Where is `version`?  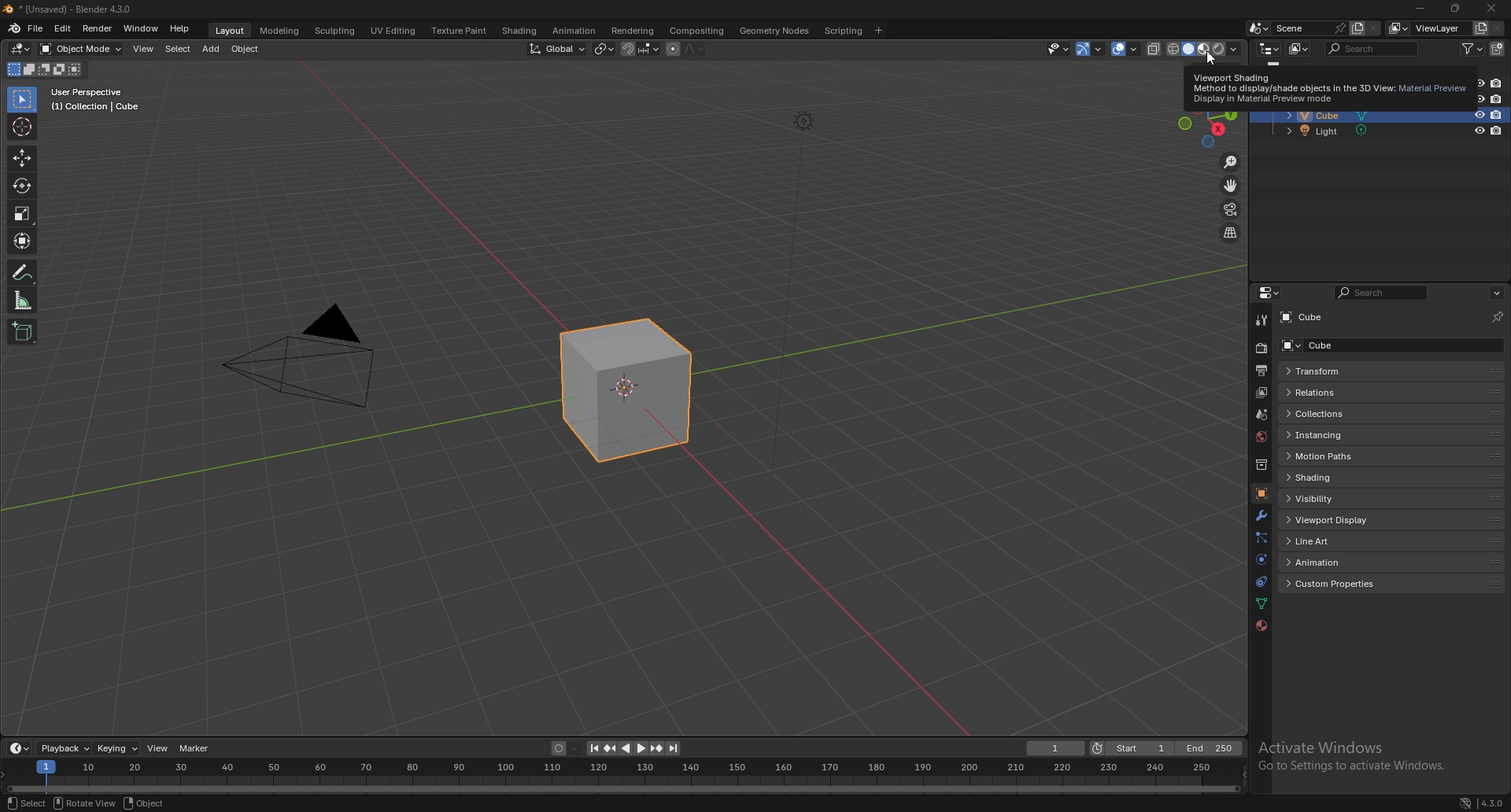 version is located at coordinates (1491, 802).